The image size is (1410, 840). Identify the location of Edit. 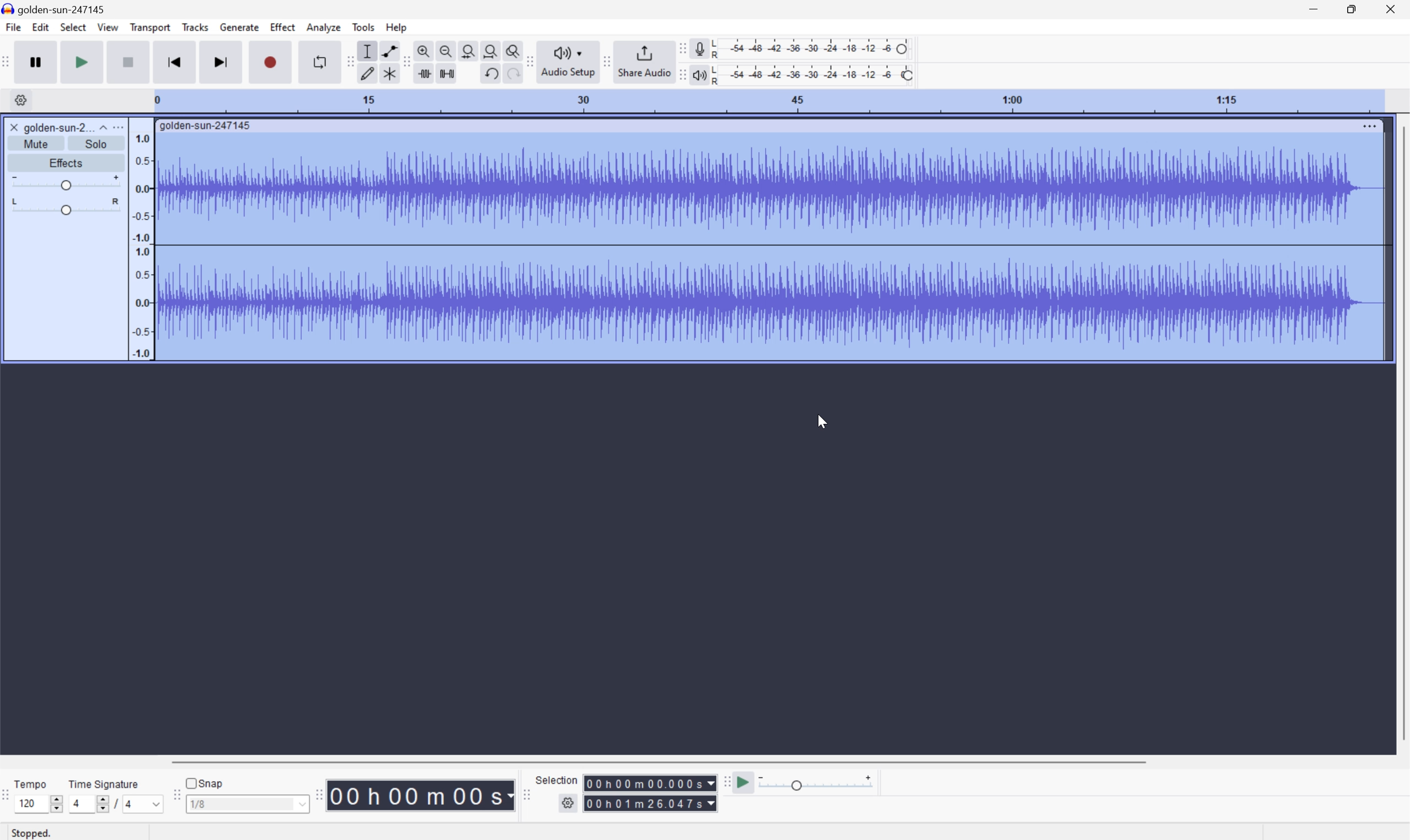
(40, 27).